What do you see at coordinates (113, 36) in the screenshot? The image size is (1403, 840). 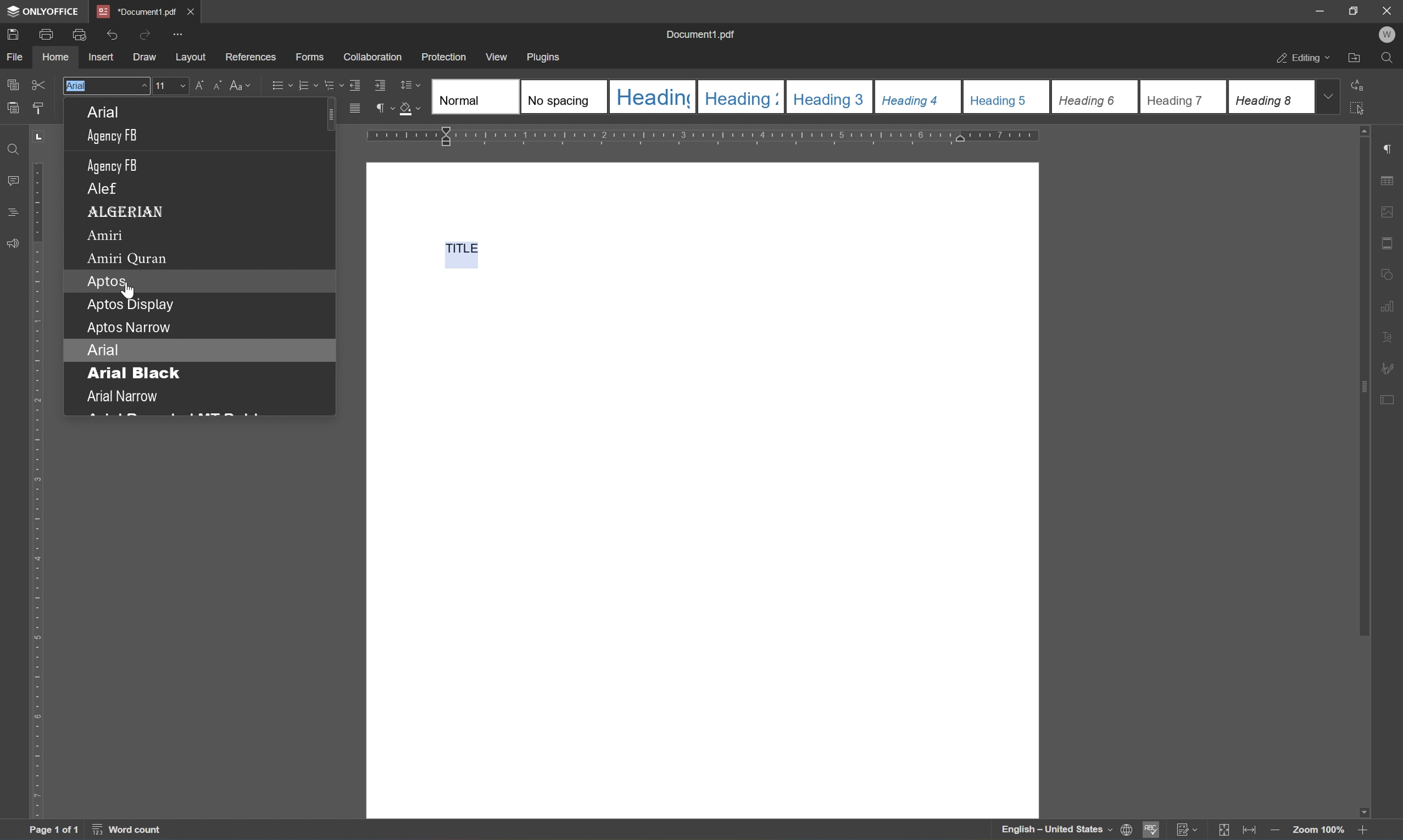 I see `undo` at bounding box center [113, 36].